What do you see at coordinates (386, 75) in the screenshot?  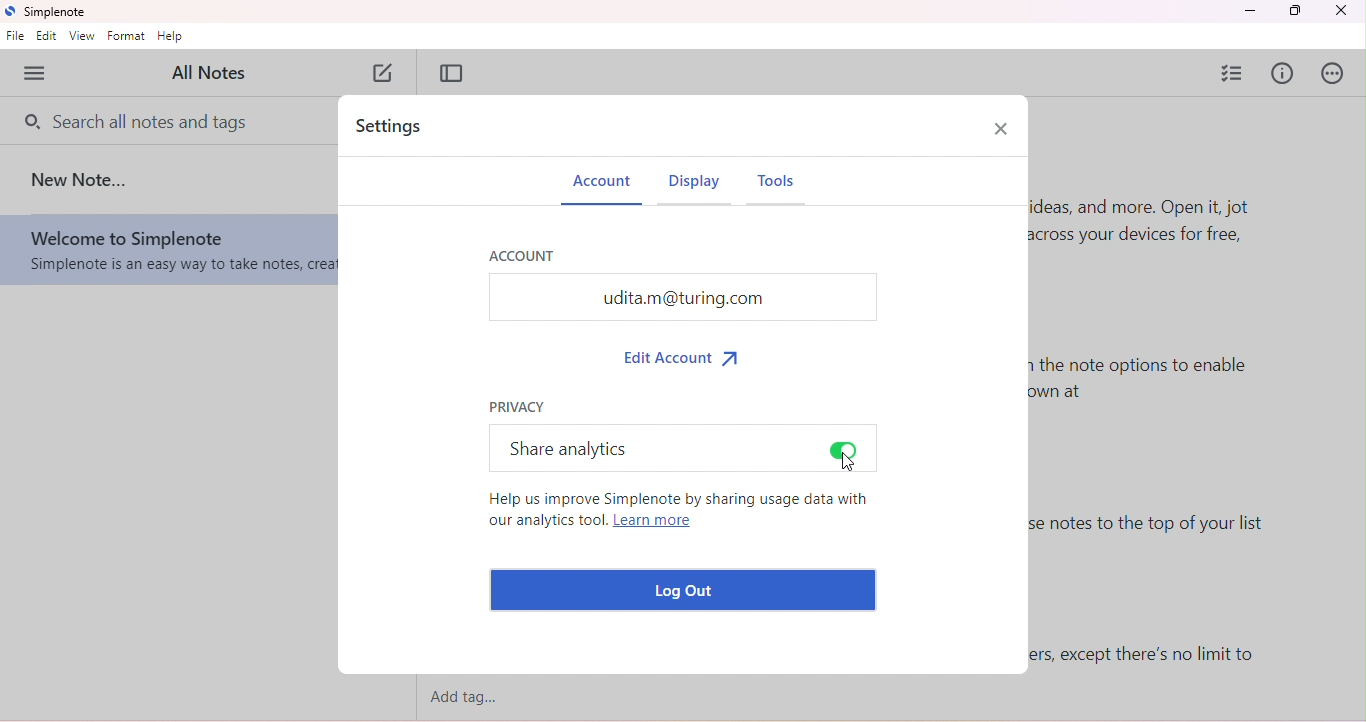 I see `new note` at bounding box center [386, 75].